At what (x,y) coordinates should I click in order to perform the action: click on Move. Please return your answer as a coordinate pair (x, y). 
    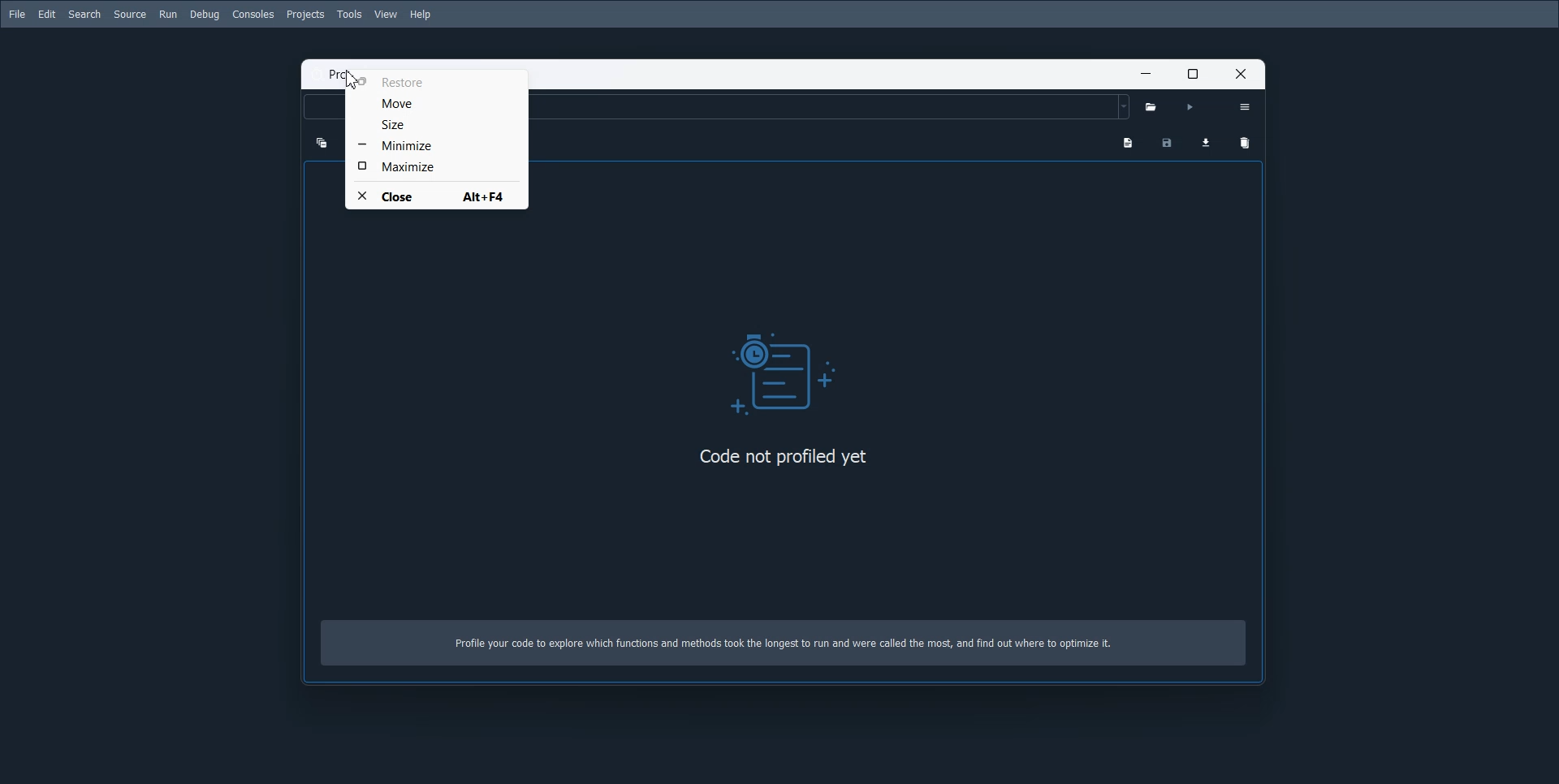
    Looking at the image, I should click on (433, 105).